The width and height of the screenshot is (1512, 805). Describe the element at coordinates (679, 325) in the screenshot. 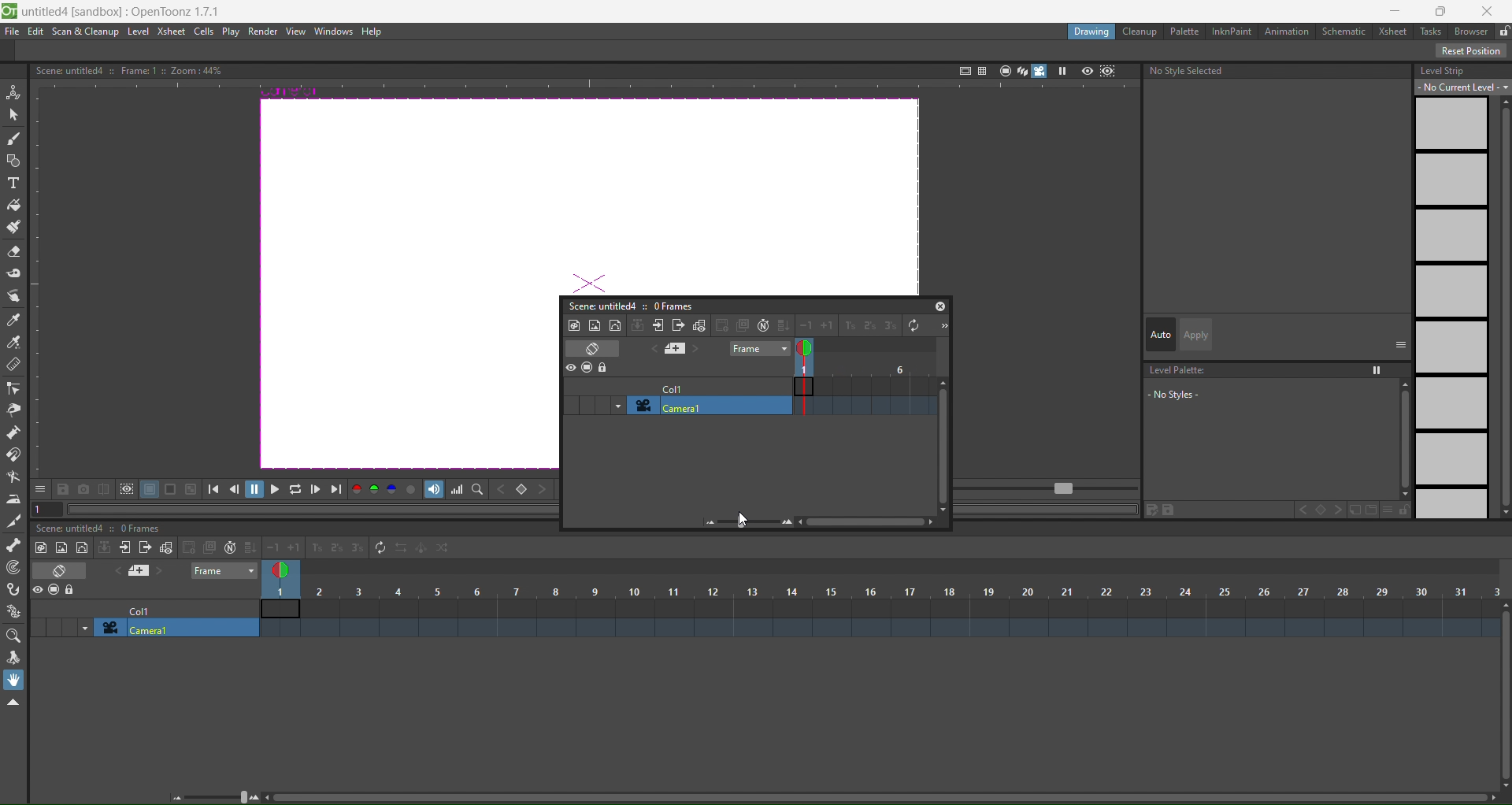

I see `close subsheet` at that location.